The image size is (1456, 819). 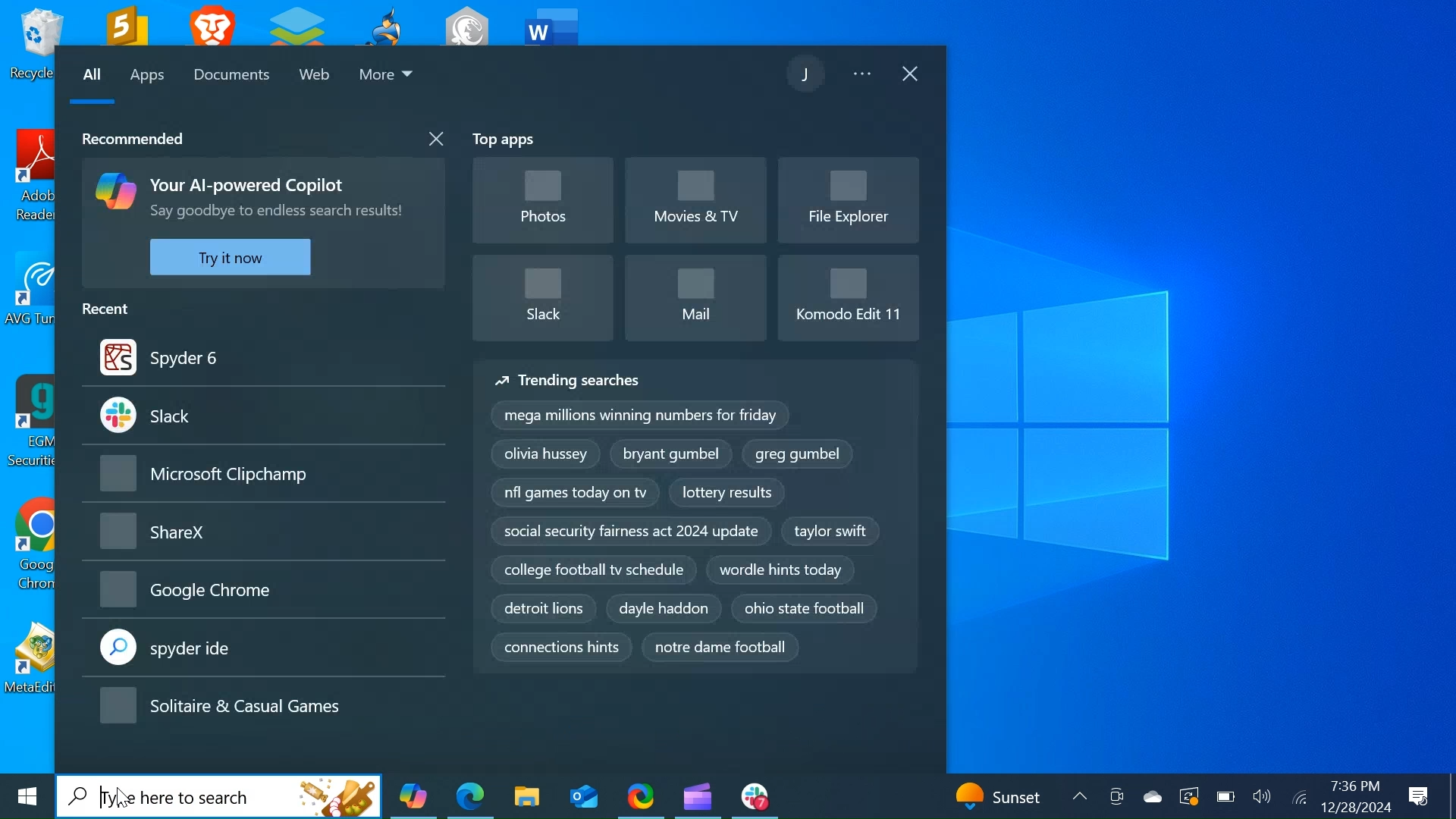 What do you see at coordinates (234, 76) in the screenshot?
I see `Documents` at bounding box center [234, 76].